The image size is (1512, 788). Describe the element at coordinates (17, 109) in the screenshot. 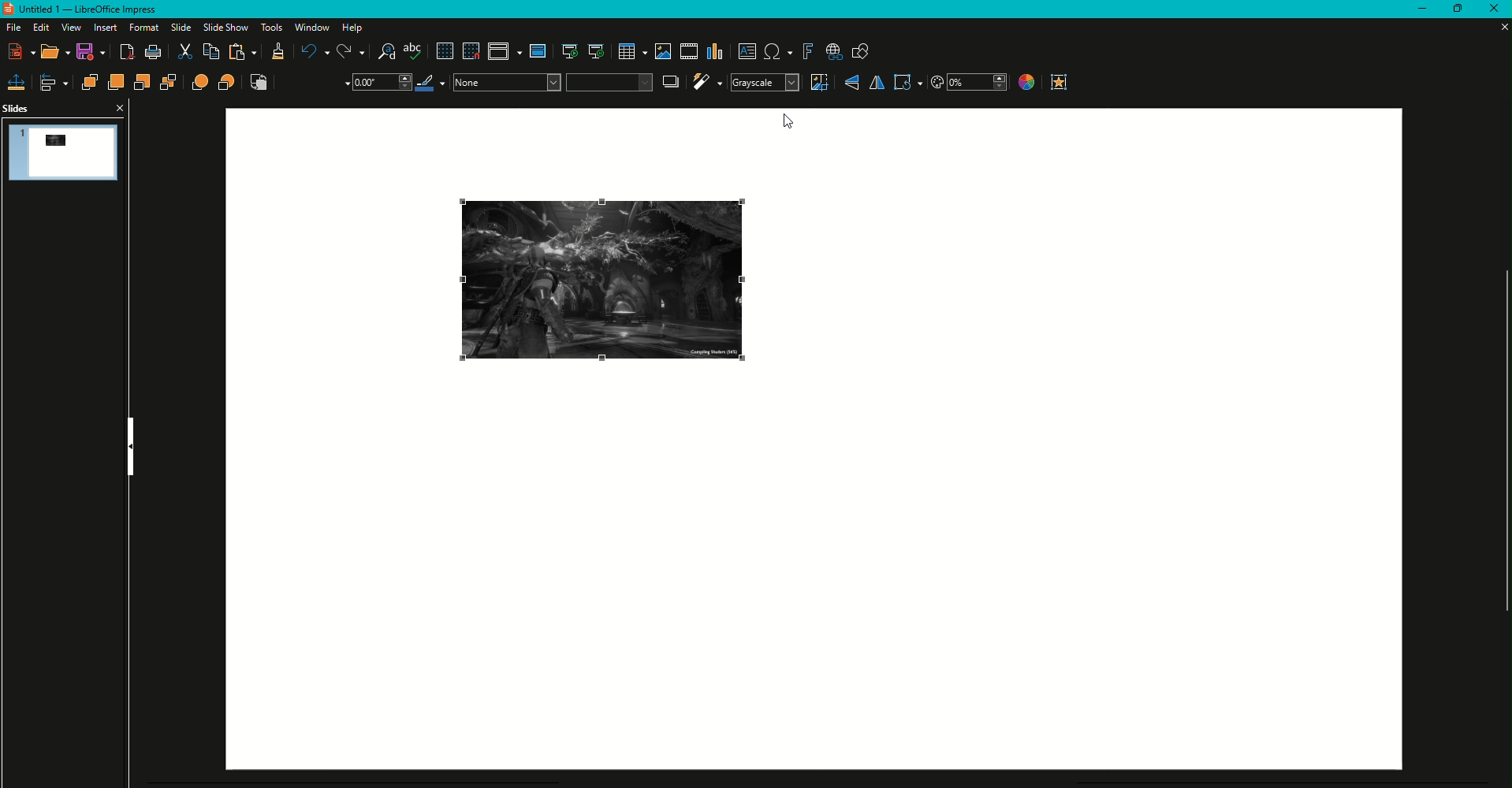

I see `Slides` at that location.